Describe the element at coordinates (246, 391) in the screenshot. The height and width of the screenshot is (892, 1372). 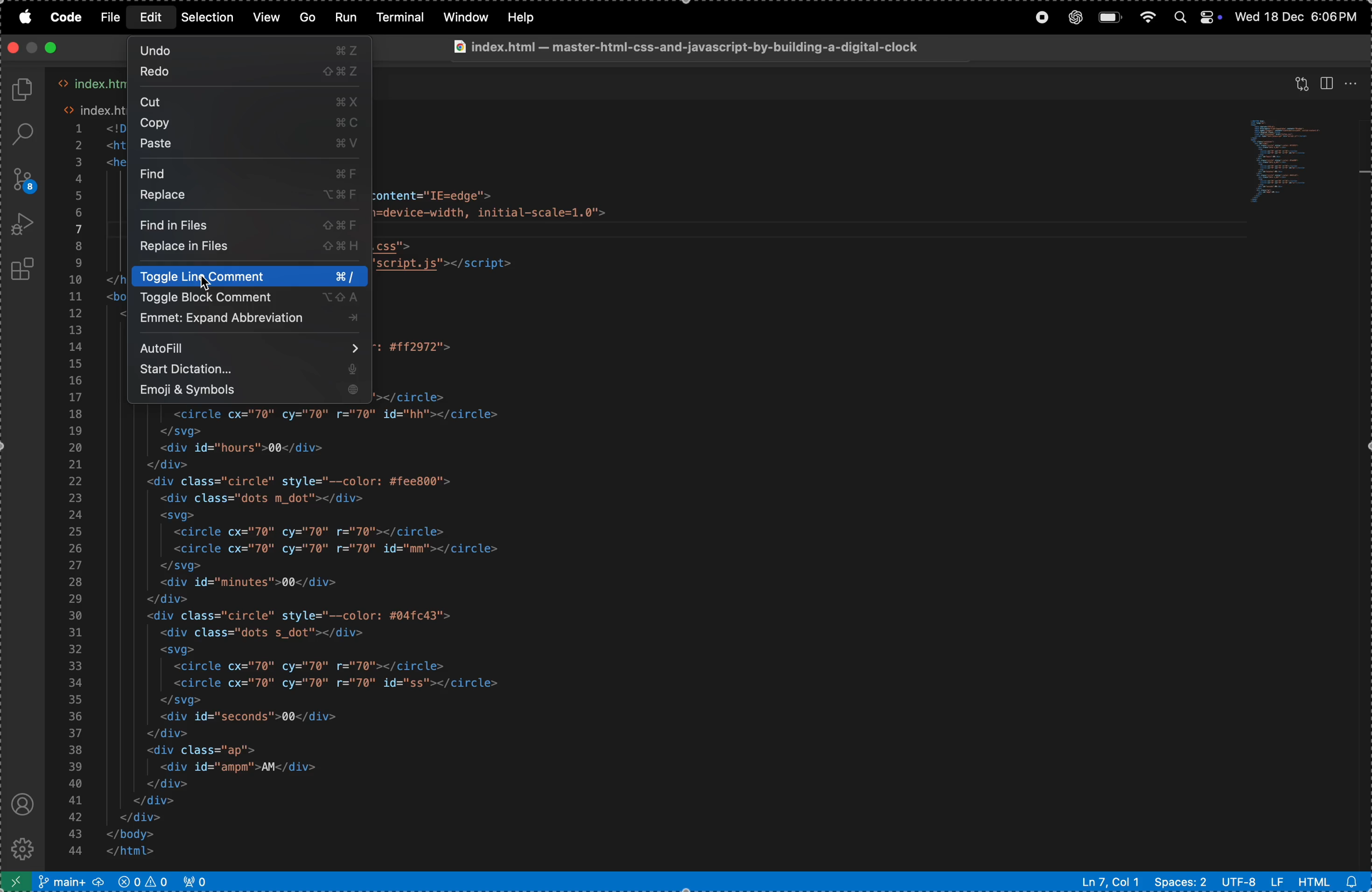
I see `emoji symbols` at that location.